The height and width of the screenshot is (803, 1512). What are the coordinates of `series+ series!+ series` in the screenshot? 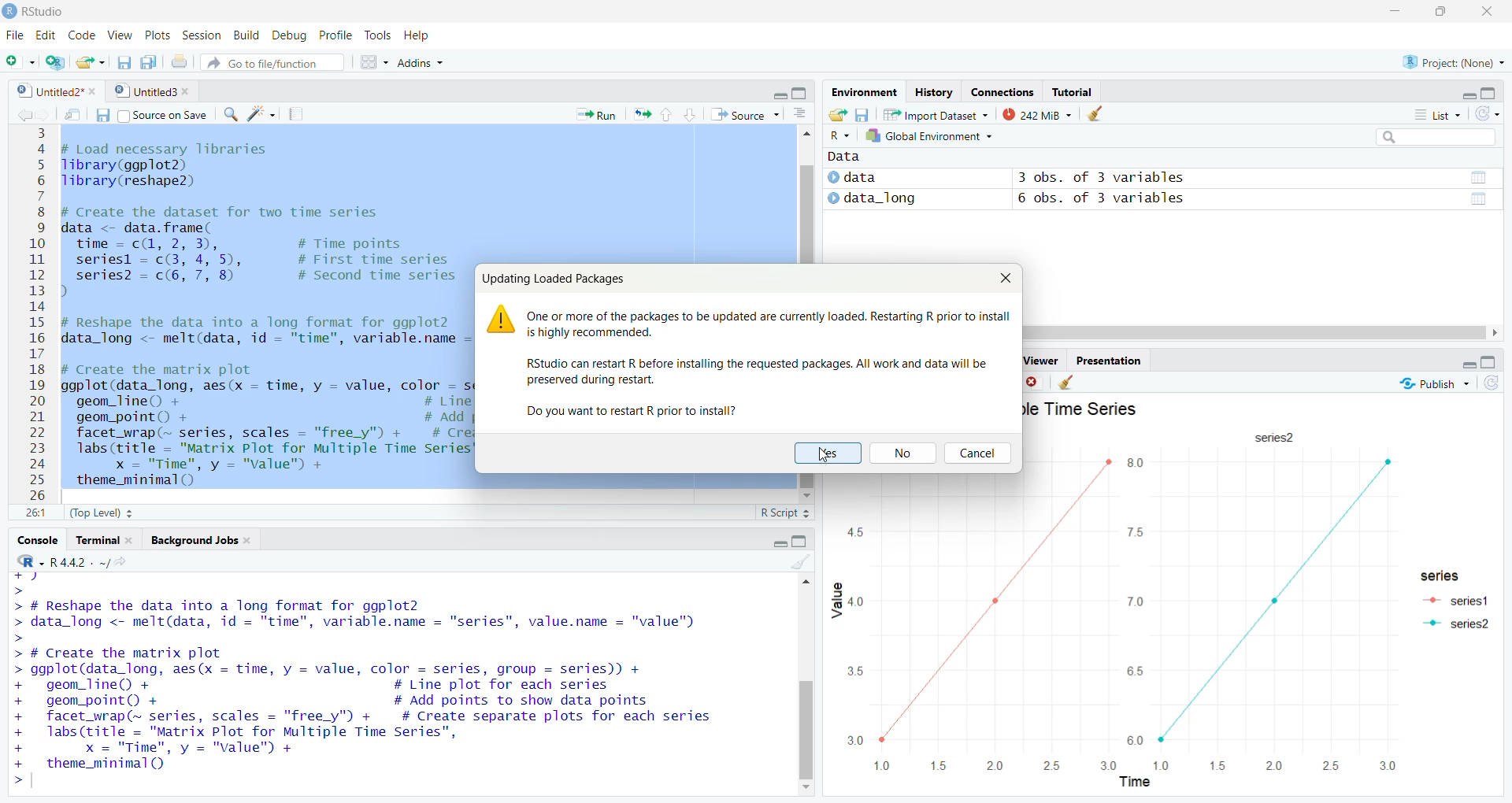 It's located at (1453, 605).